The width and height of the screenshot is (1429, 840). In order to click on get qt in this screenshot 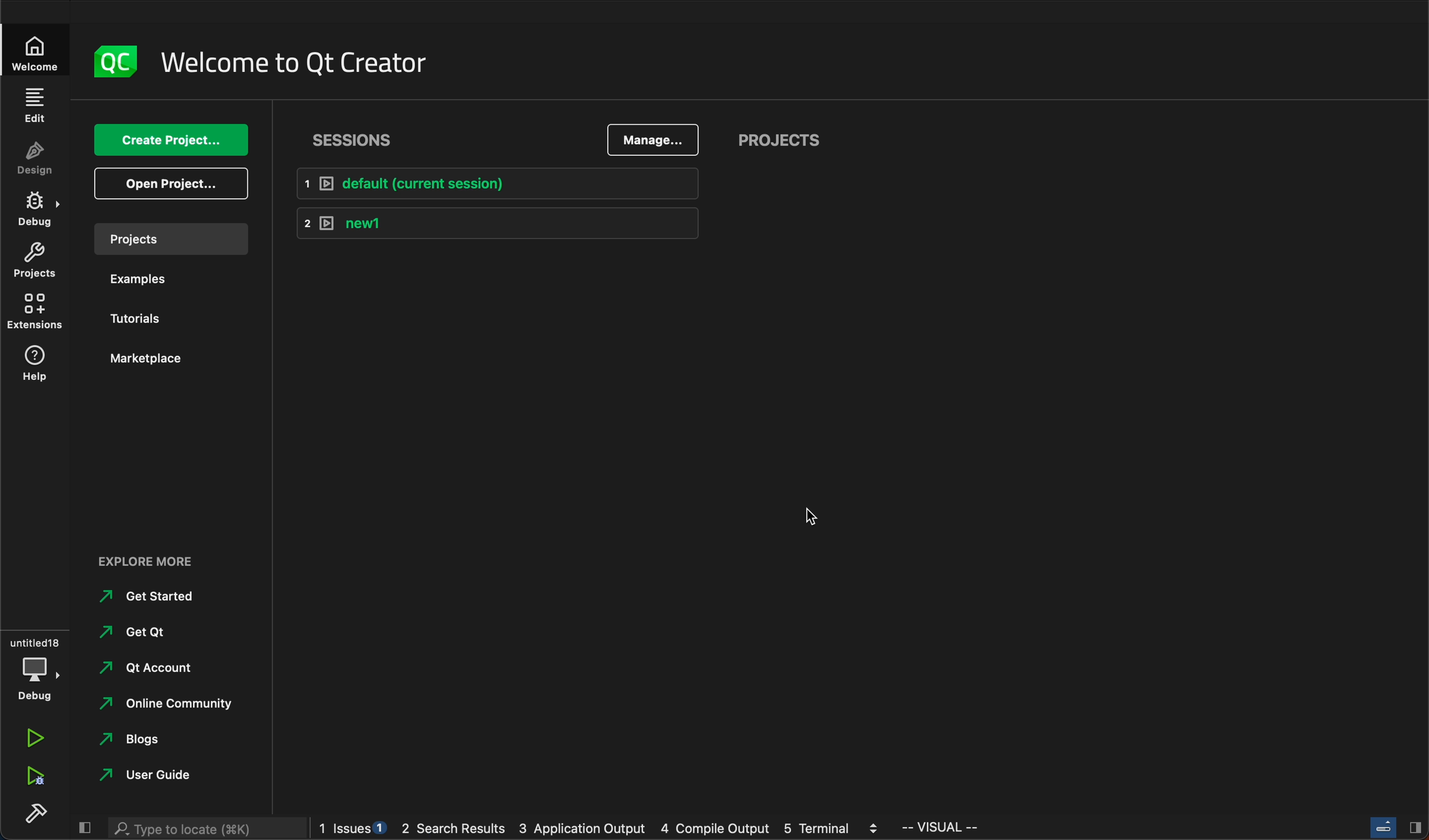, I will do `click(164, 632)`.